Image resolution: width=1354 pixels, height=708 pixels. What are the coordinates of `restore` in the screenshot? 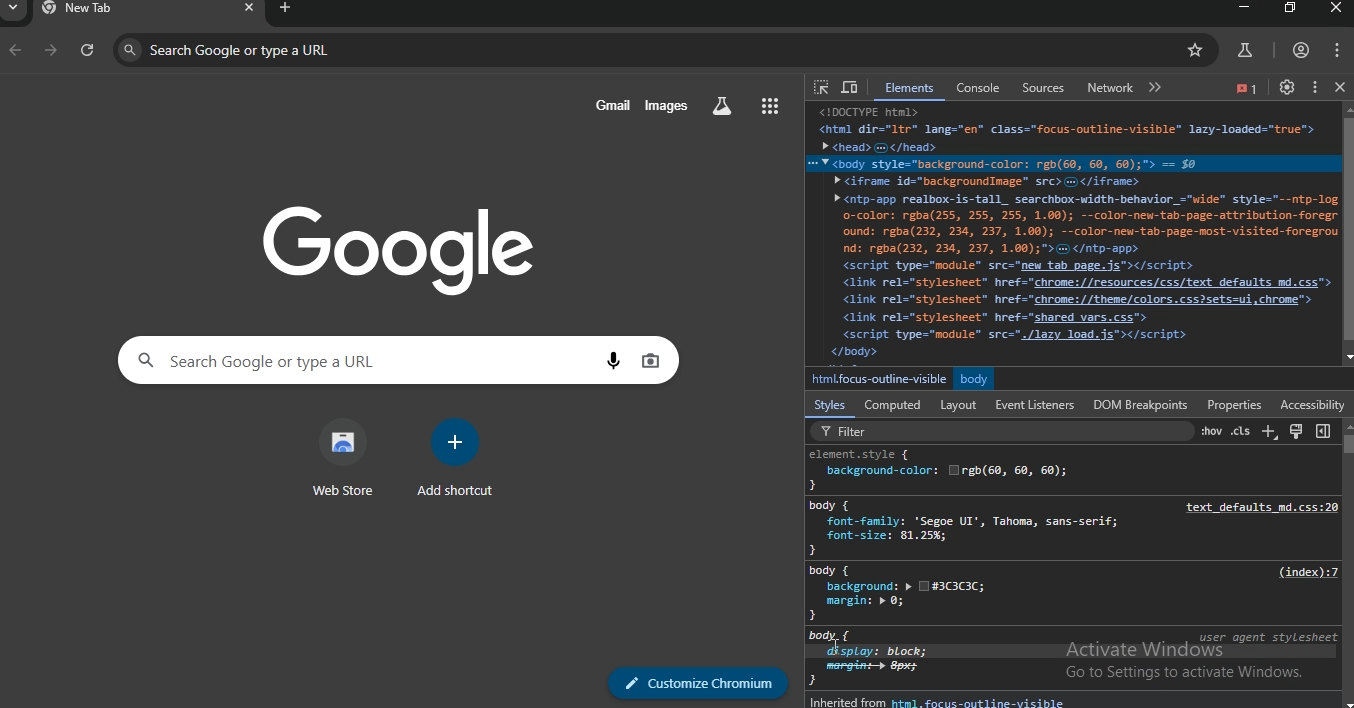 It's located at (1291, 8).